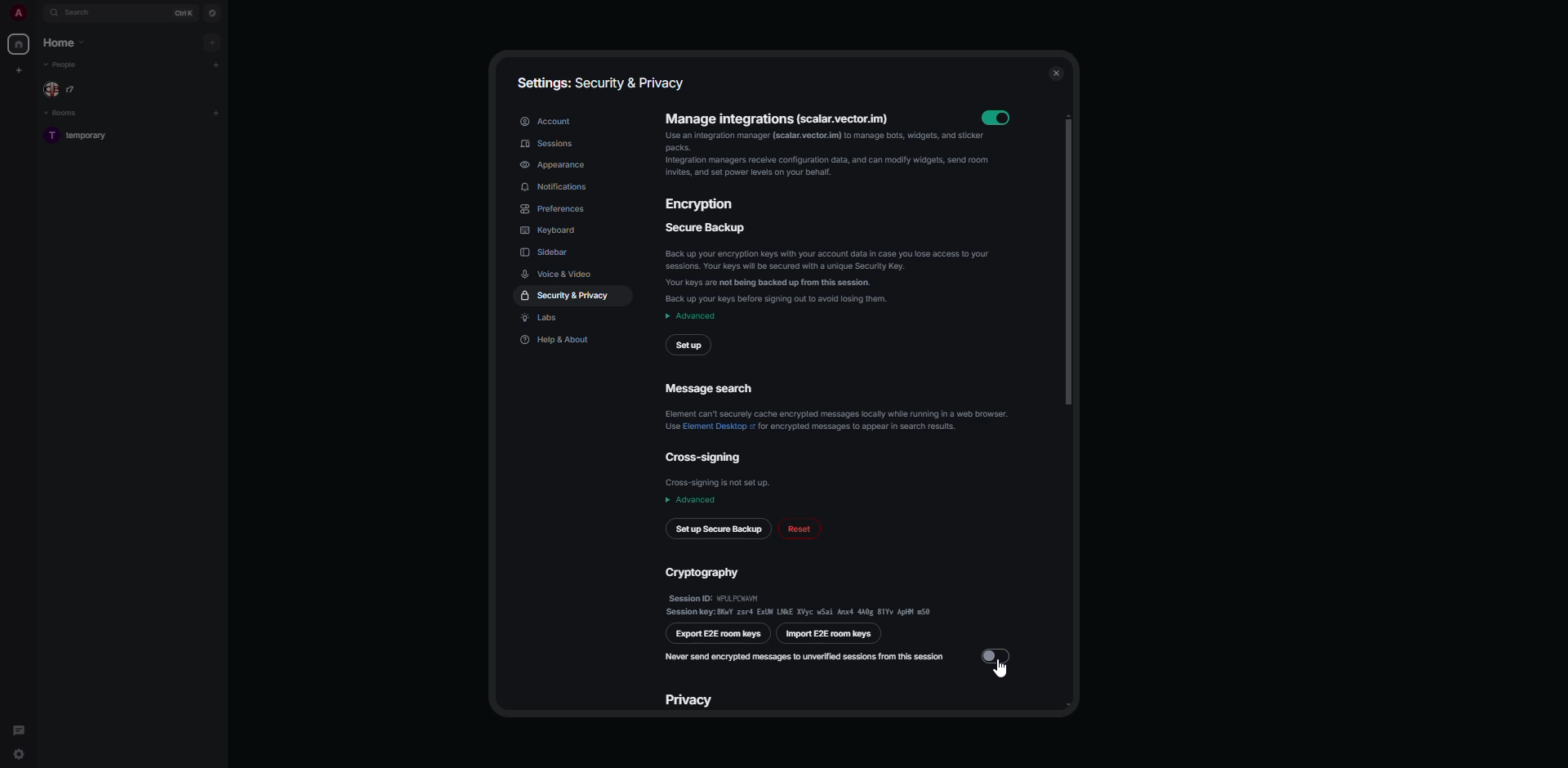 This screenshot has width=1568, height=768. I want to click on secure backup, so click(834, 263).